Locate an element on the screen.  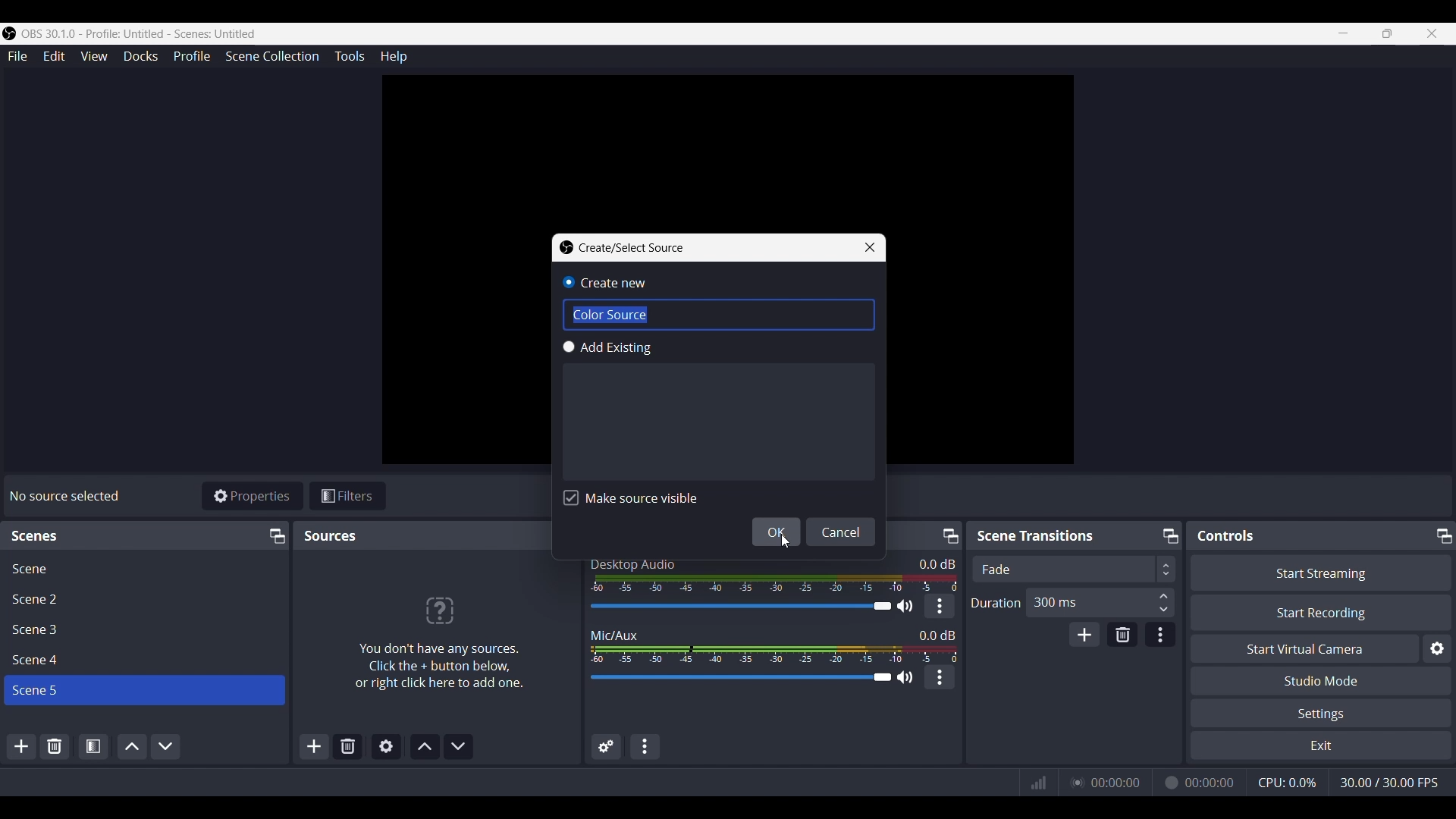
Move Sources Down is located at coordinates (459, 745).